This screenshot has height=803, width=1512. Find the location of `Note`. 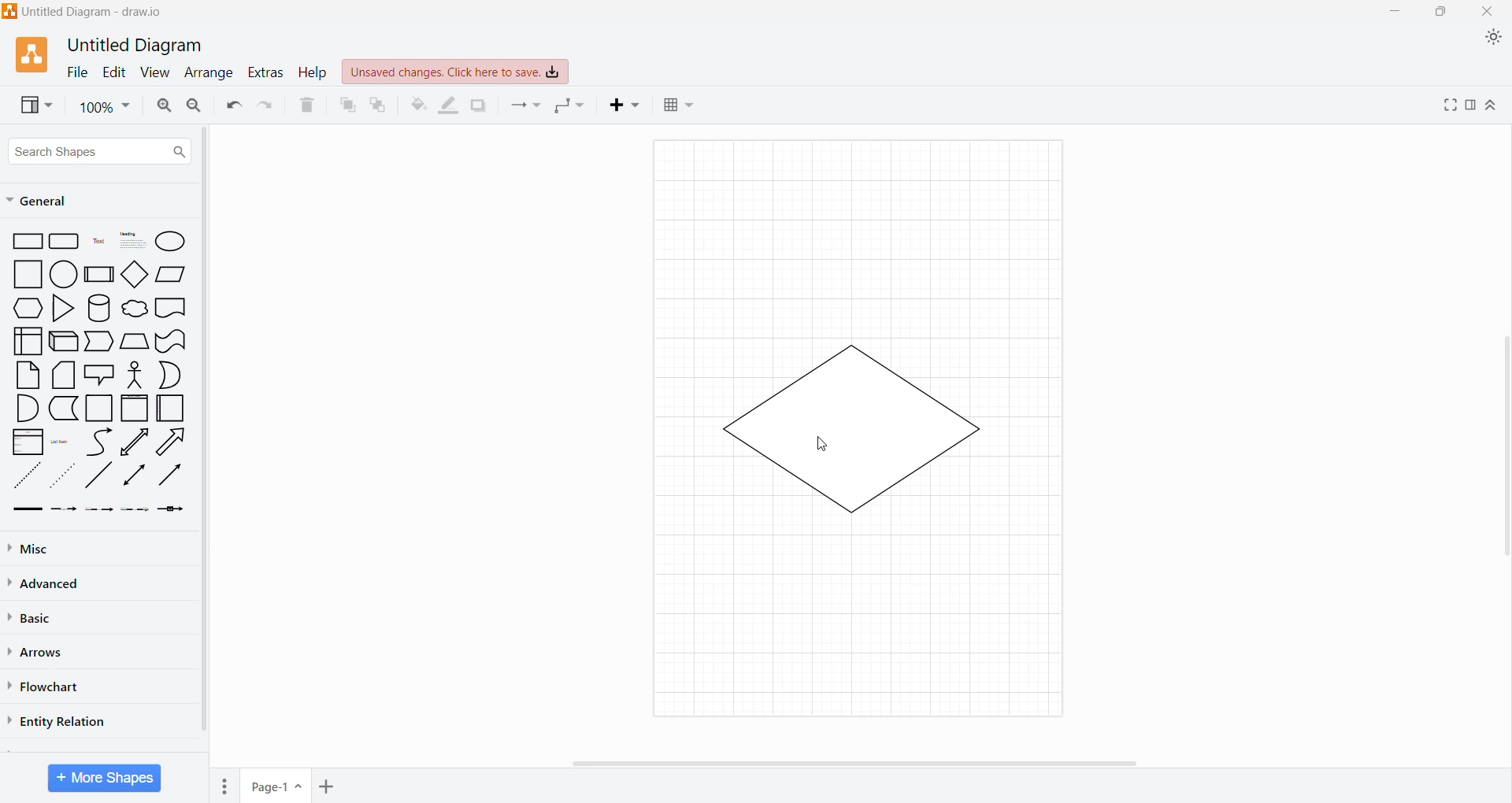

Note is located at coordinates (28, 375).